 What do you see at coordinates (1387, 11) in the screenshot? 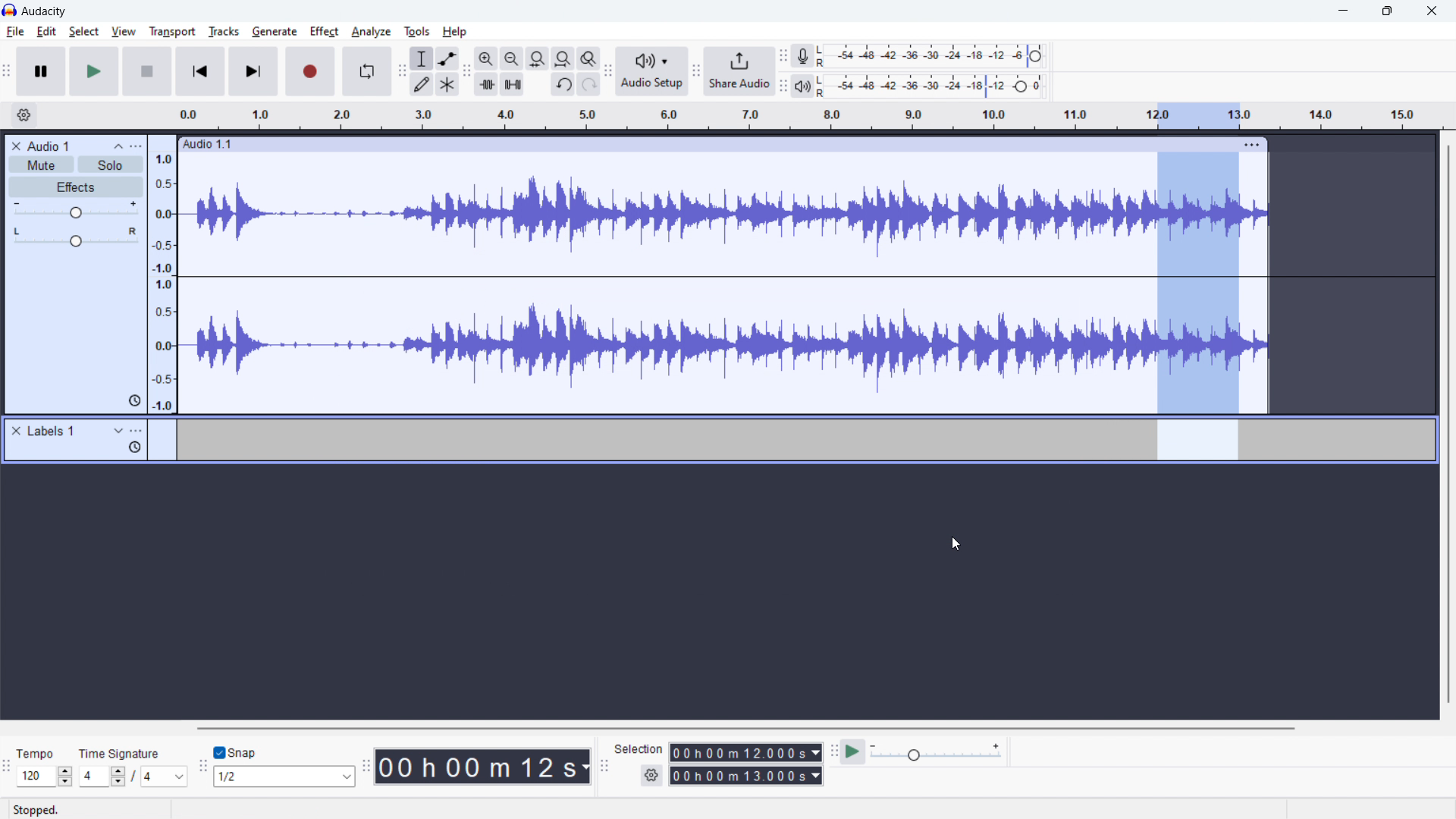
I see `maximize` at bounding box center [1387, 11].